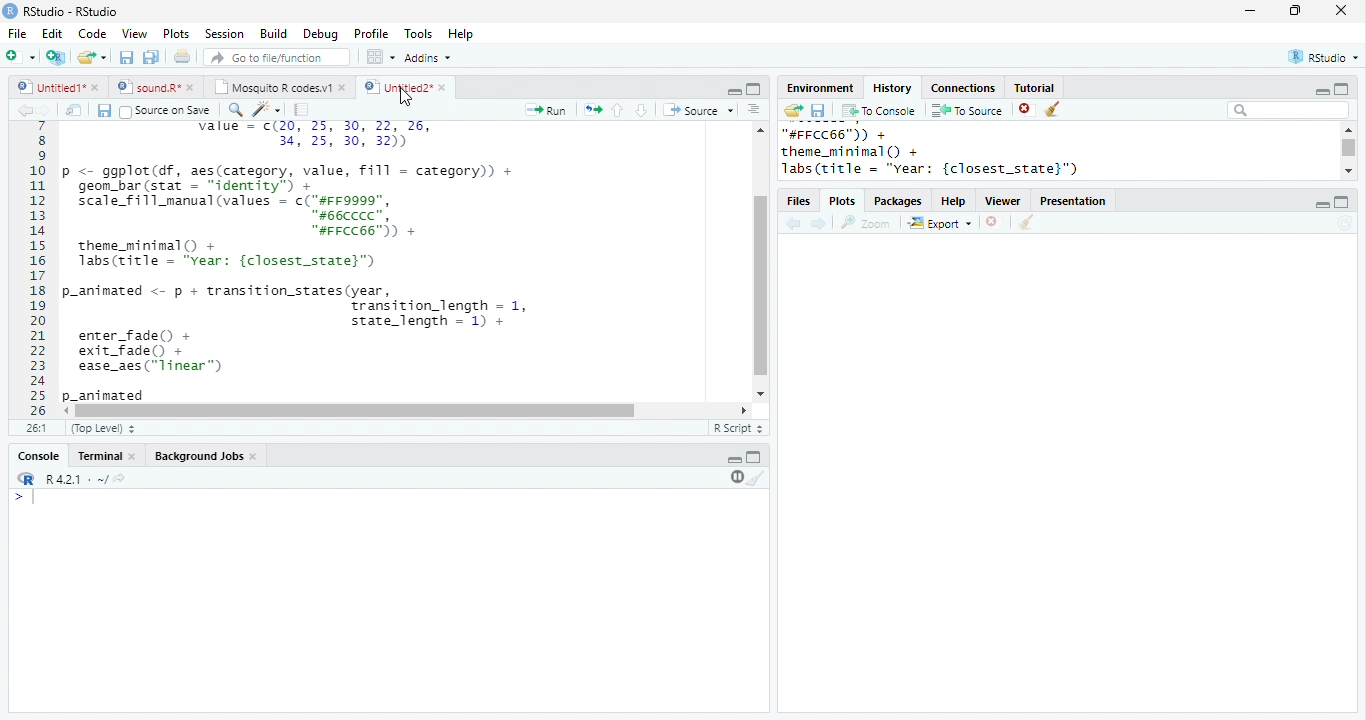 This screenshot has width=1366, height=720. Describe the element at coordinates (256, 458) in the screenshot. I see `close` at that location.